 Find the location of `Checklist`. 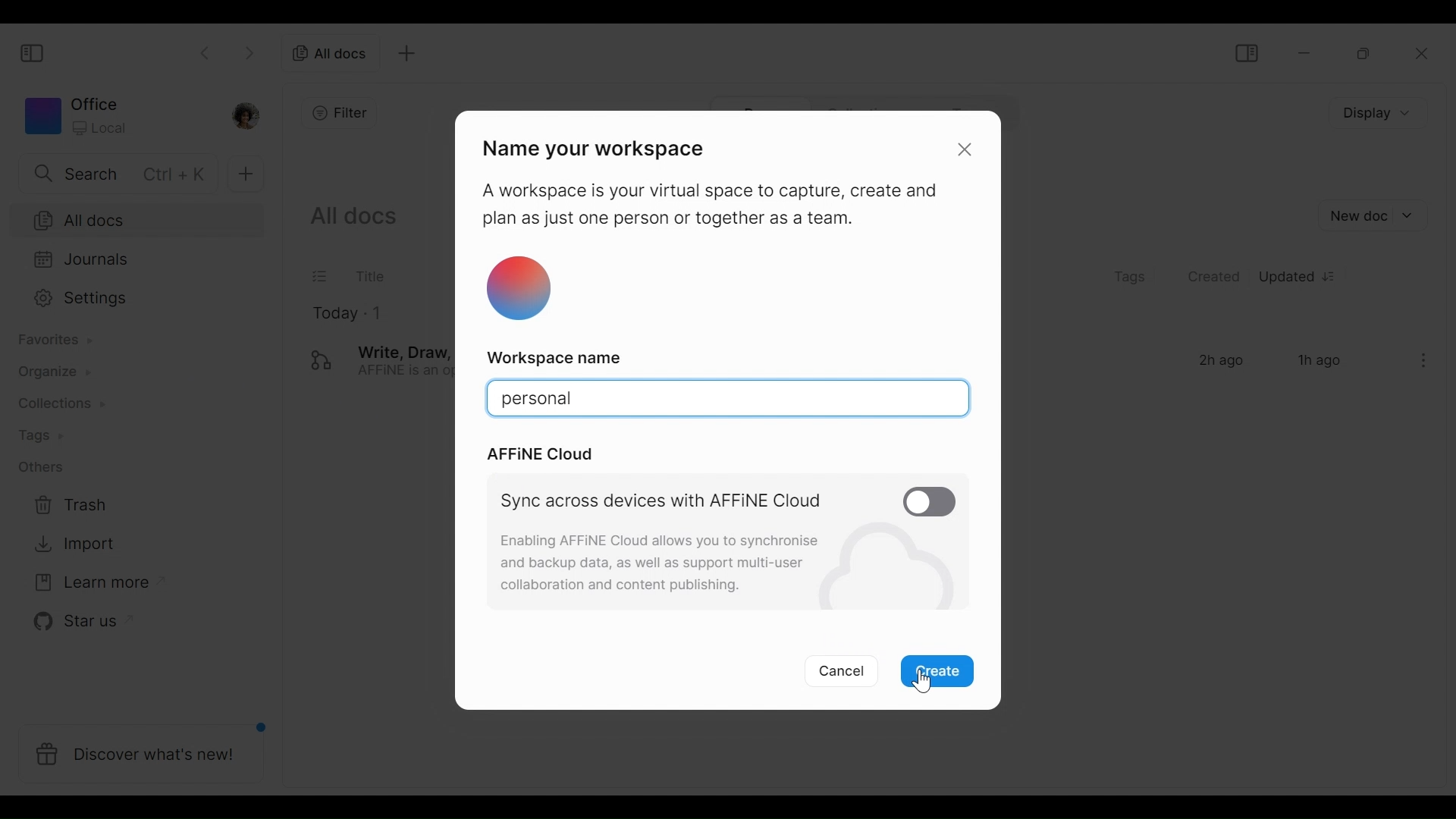

Checklist is located at coordinates (321, 276).